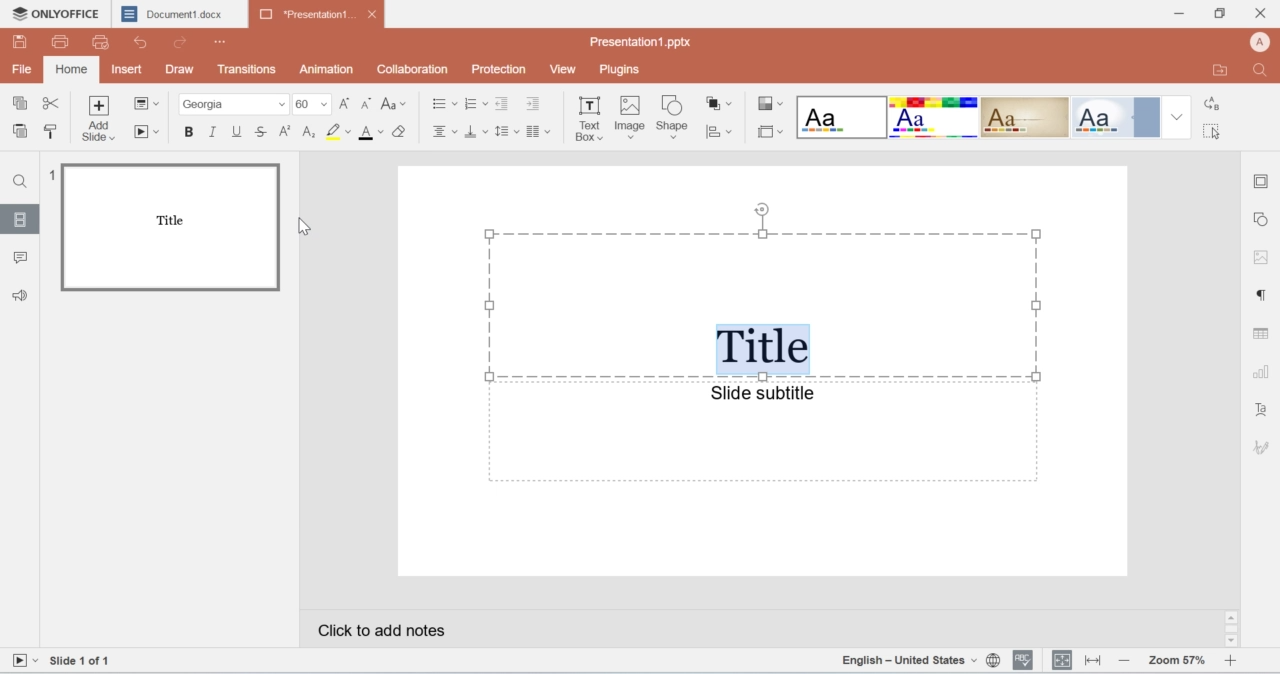 Image resolution: width=1280 pixels, height=674 pixels. What do you see at coordinates (589, 122) in the screenshot?
I see `text box` at bounding box center [589, 122].